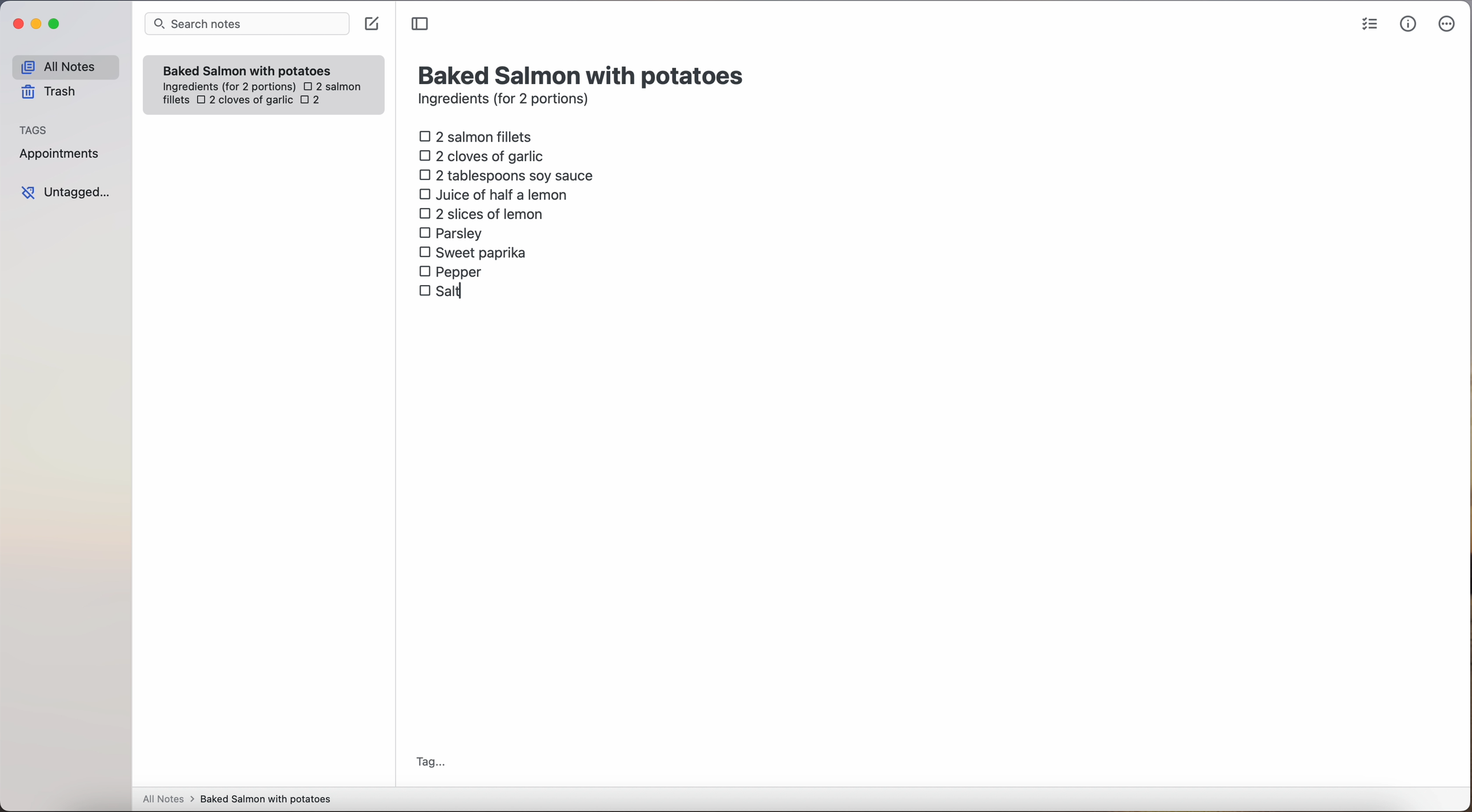 The width and height of the screenshot is (1472, 812). Describe the element at coordinates (482, 214) in the screenshot. I see `2 slices of lemon` at that location.